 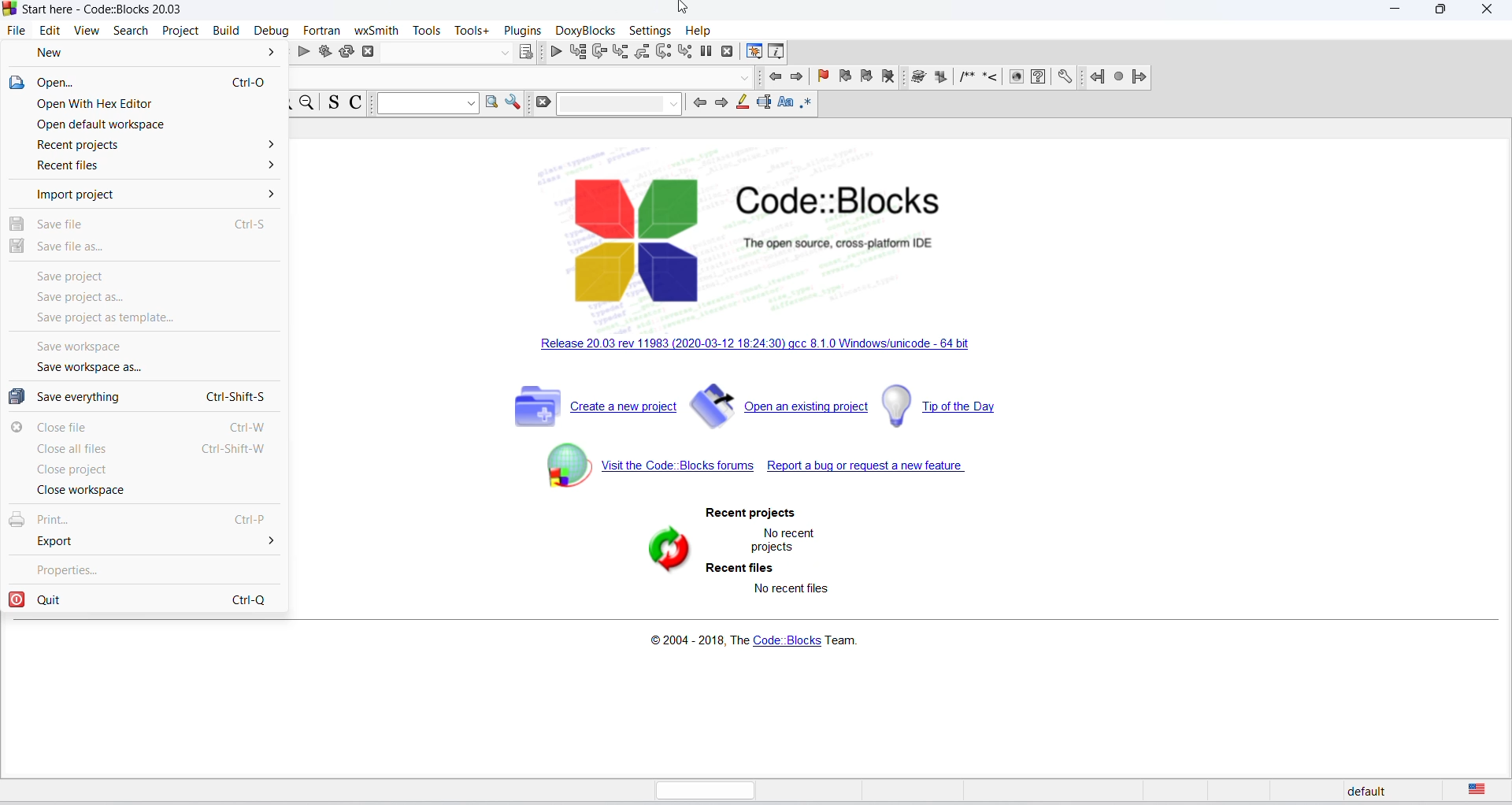 What do you see at coordinates (1014, 79) in the screenshot?
I see `icon` at bounding box center [1014, 79].